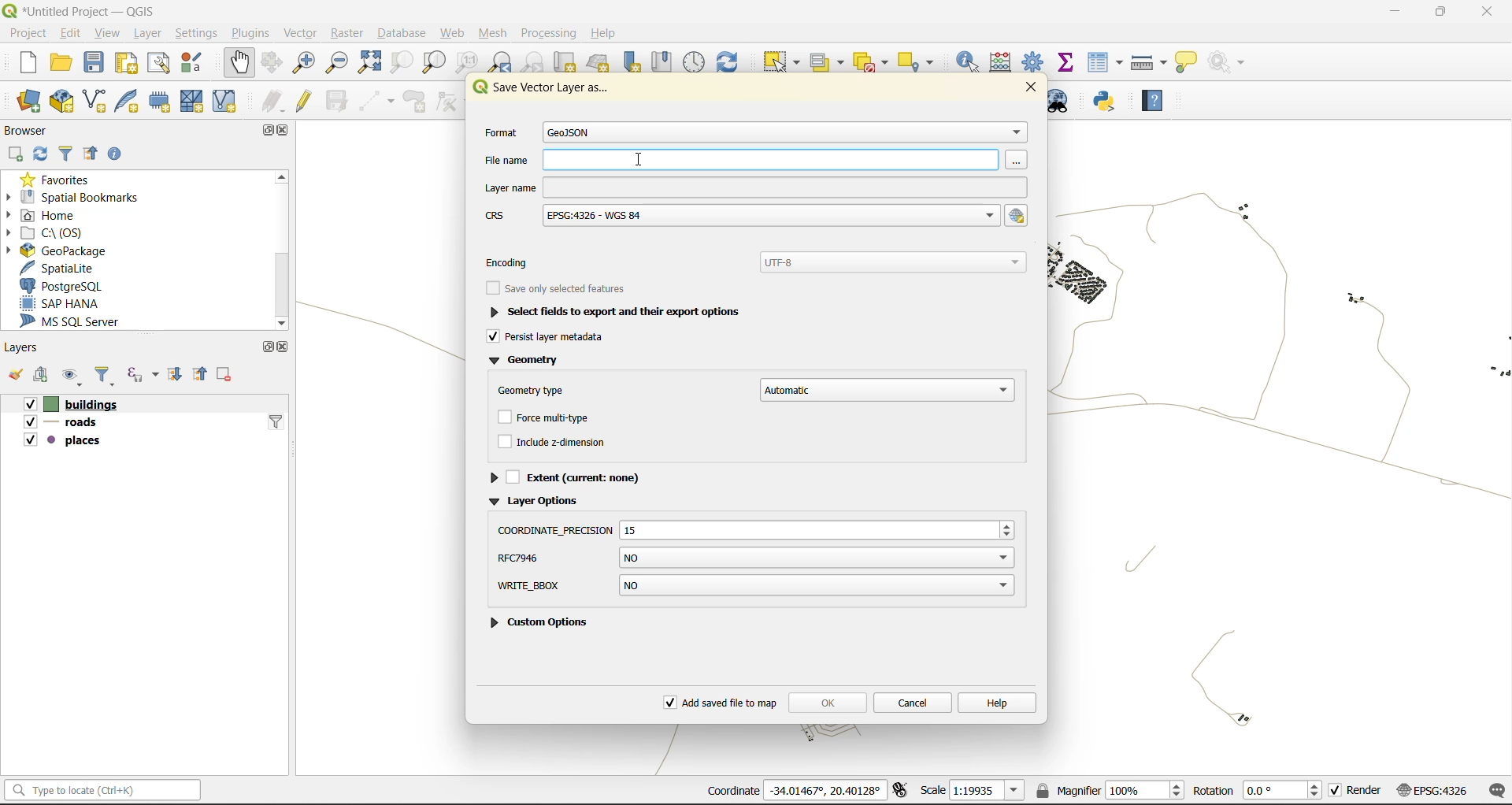 Image resolution: width=1512 pixels, height=805 pixels. What do you see at coordinates (107, 35) in the screenshot?
I see `view` at bounding box center [107, 35].